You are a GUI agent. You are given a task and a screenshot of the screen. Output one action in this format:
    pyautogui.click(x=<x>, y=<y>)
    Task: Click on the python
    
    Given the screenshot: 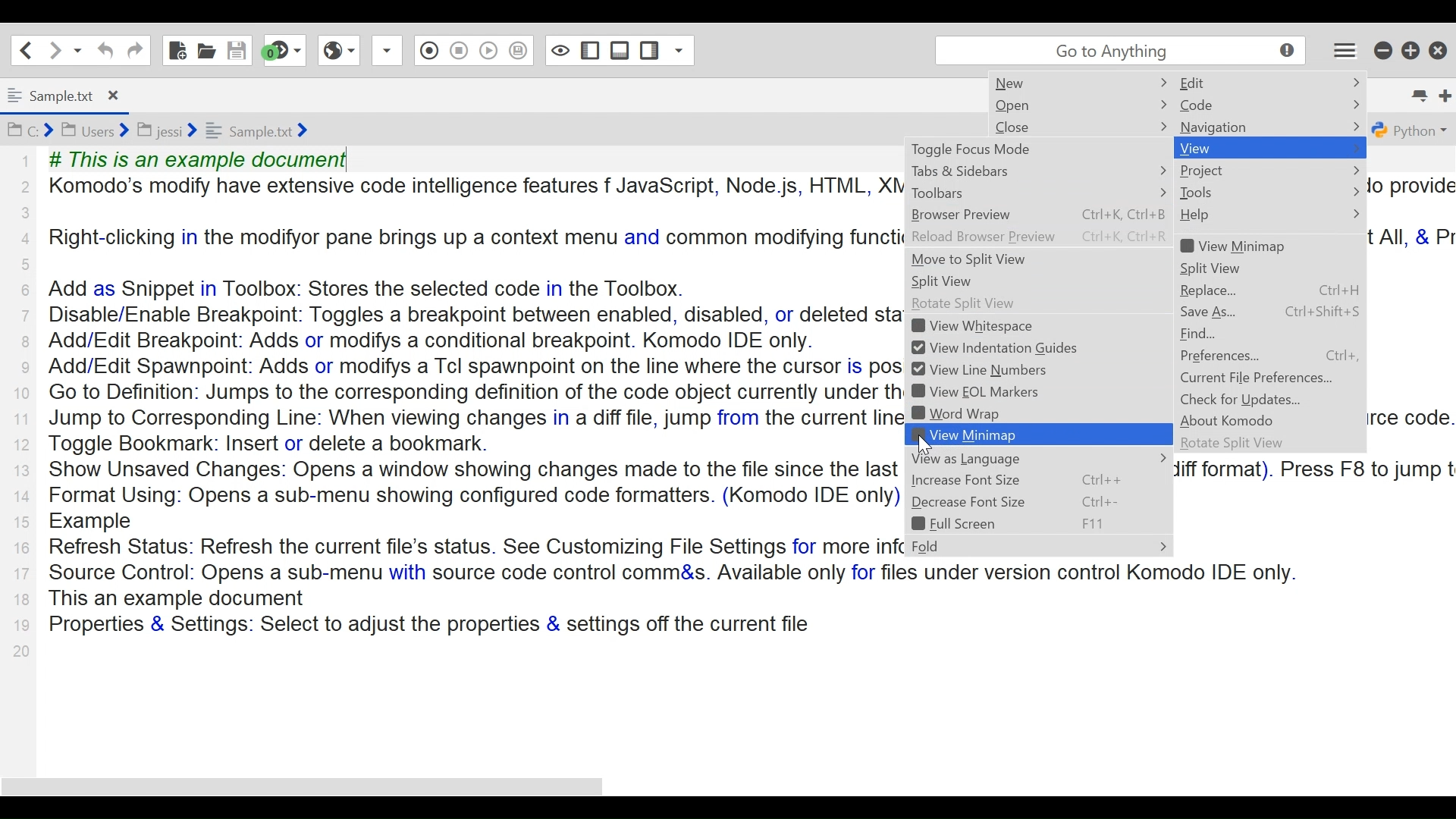 What is the action you would take?
    pyautogui.click(x=1410, y=131)
    